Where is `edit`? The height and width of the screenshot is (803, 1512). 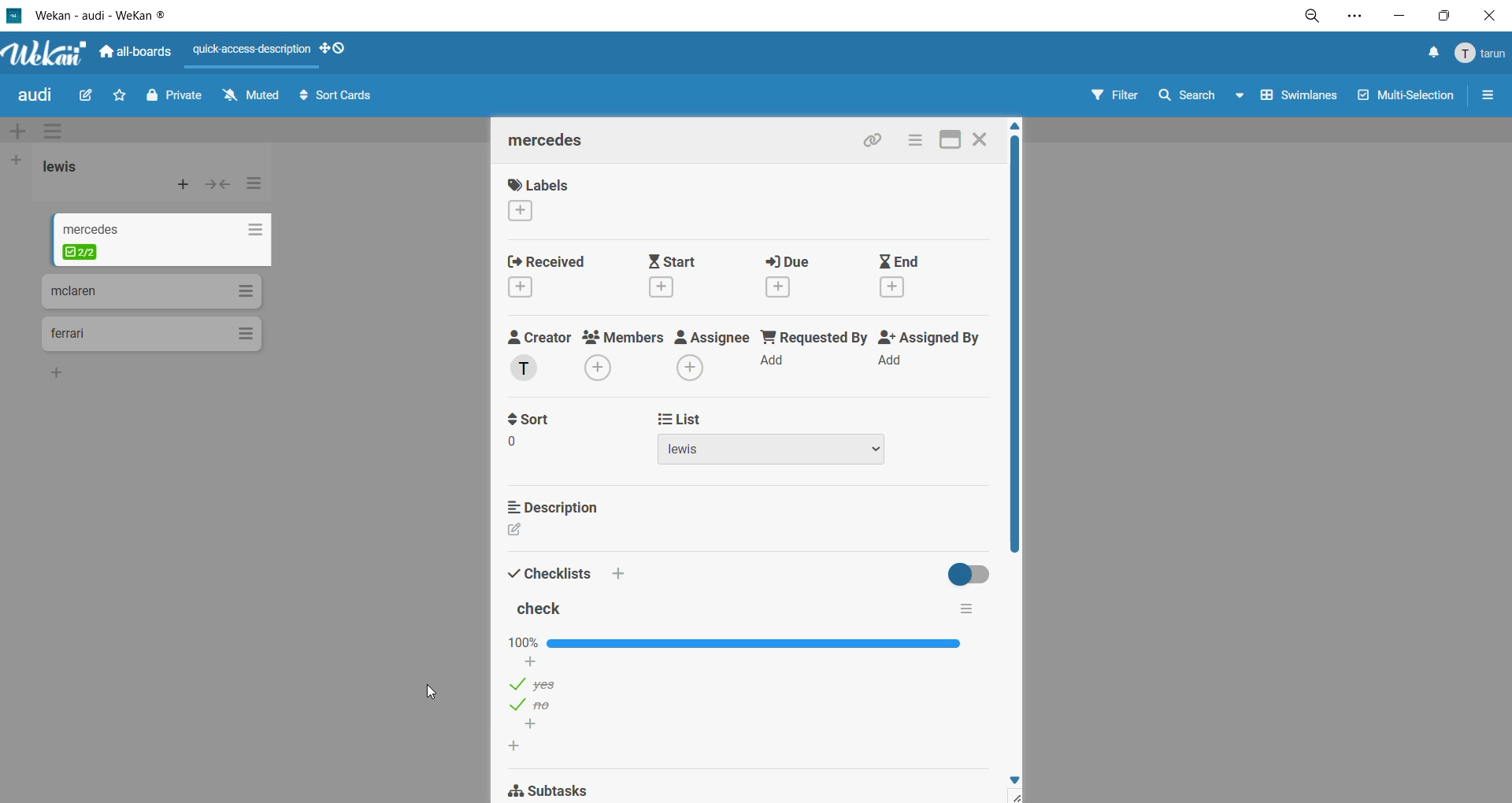 edit is located at coordinates (90, 99).